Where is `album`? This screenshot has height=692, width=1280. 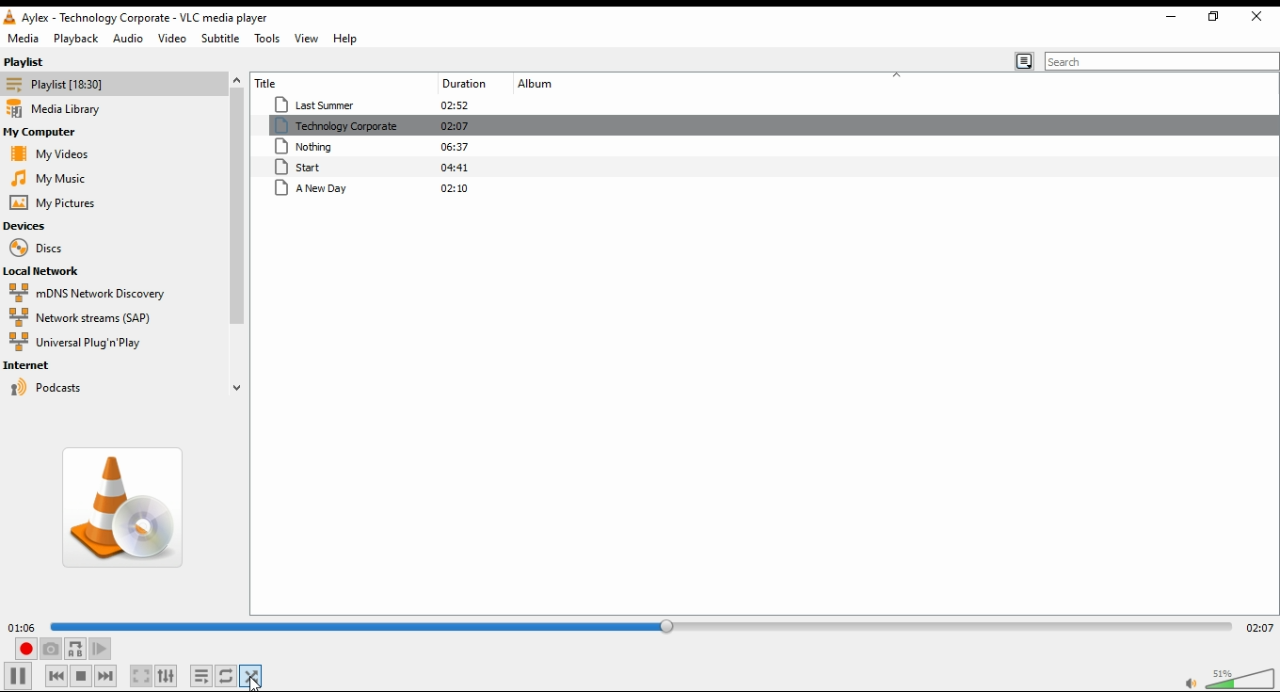
album is located at coordinates (543, 83).